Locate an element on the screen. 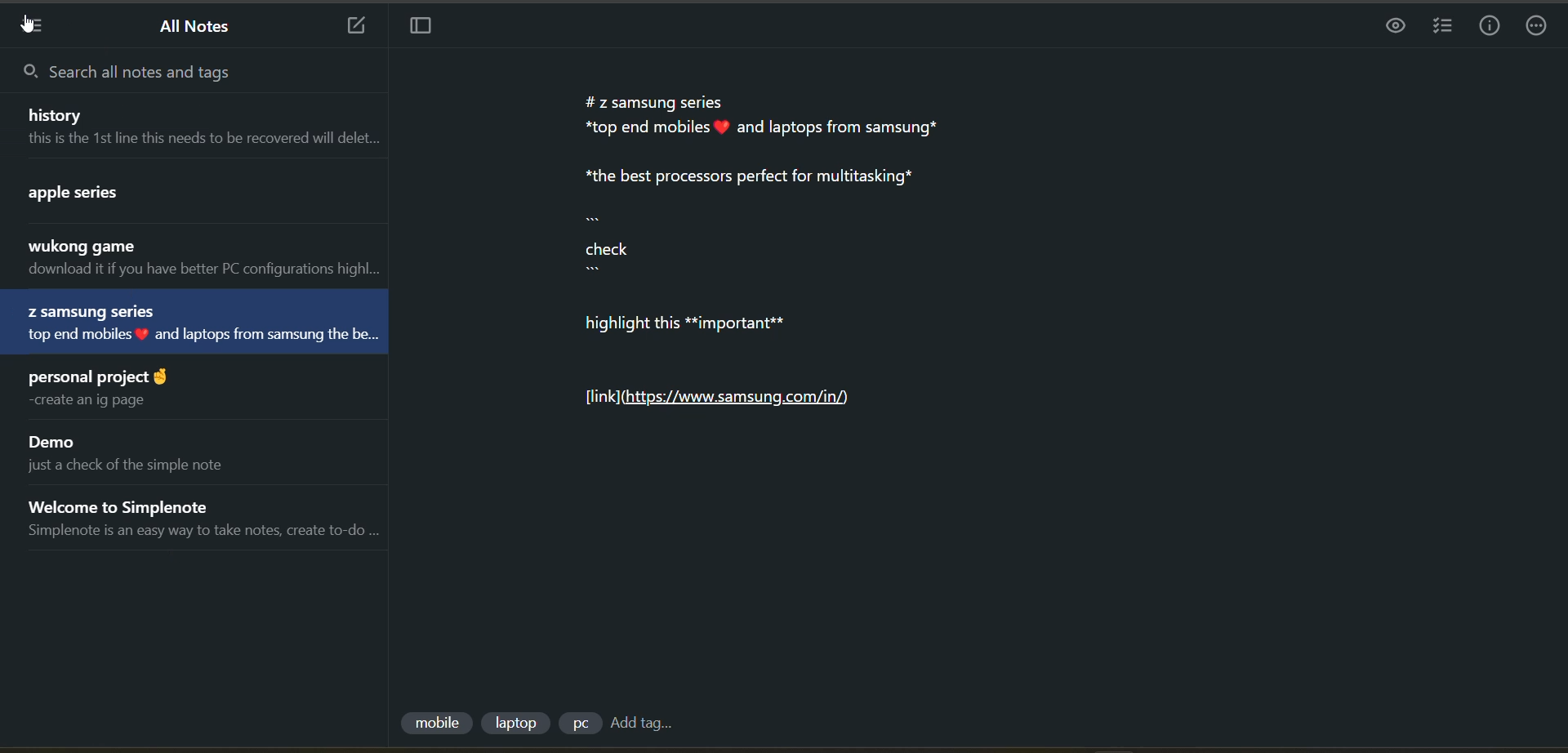 This screenshot has width=1568, height=753. note title and preview is located at coordinates (211, 519).